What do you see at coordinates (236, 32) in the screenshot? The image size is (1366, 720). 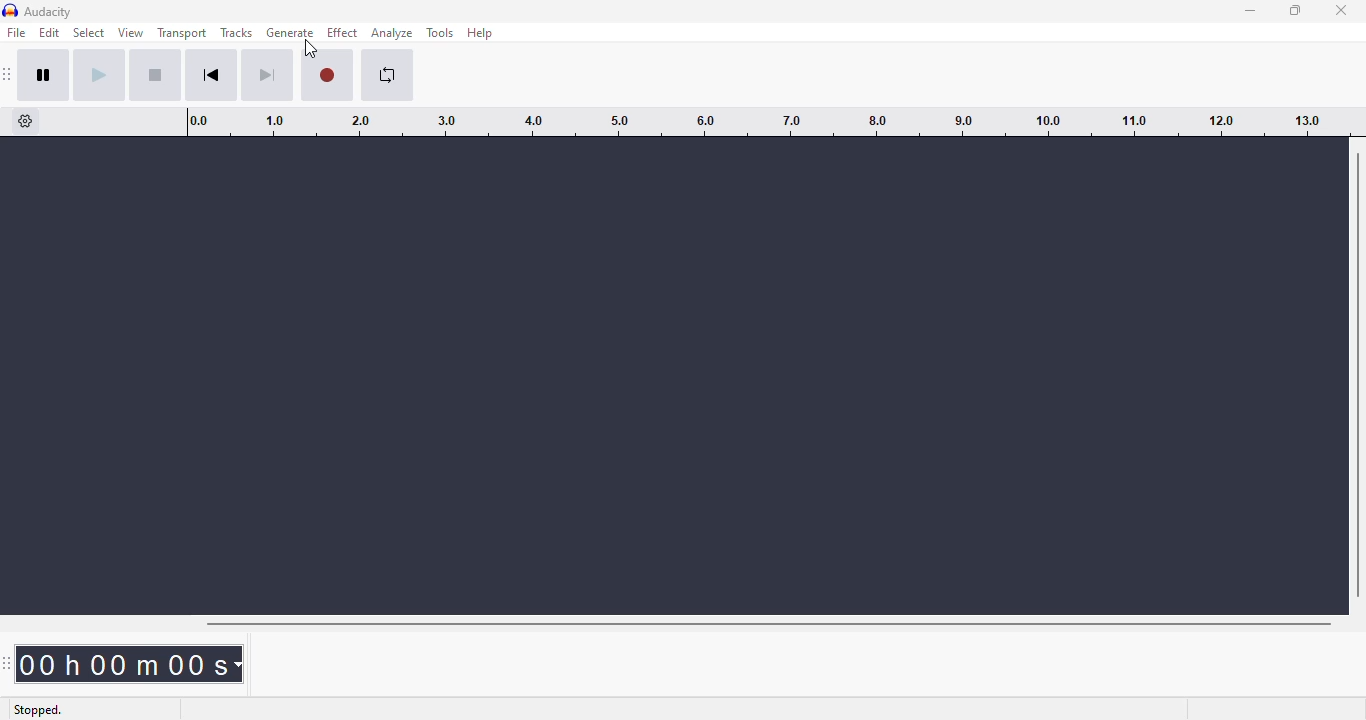 I see `tracks` at bounding box center [236, 32].